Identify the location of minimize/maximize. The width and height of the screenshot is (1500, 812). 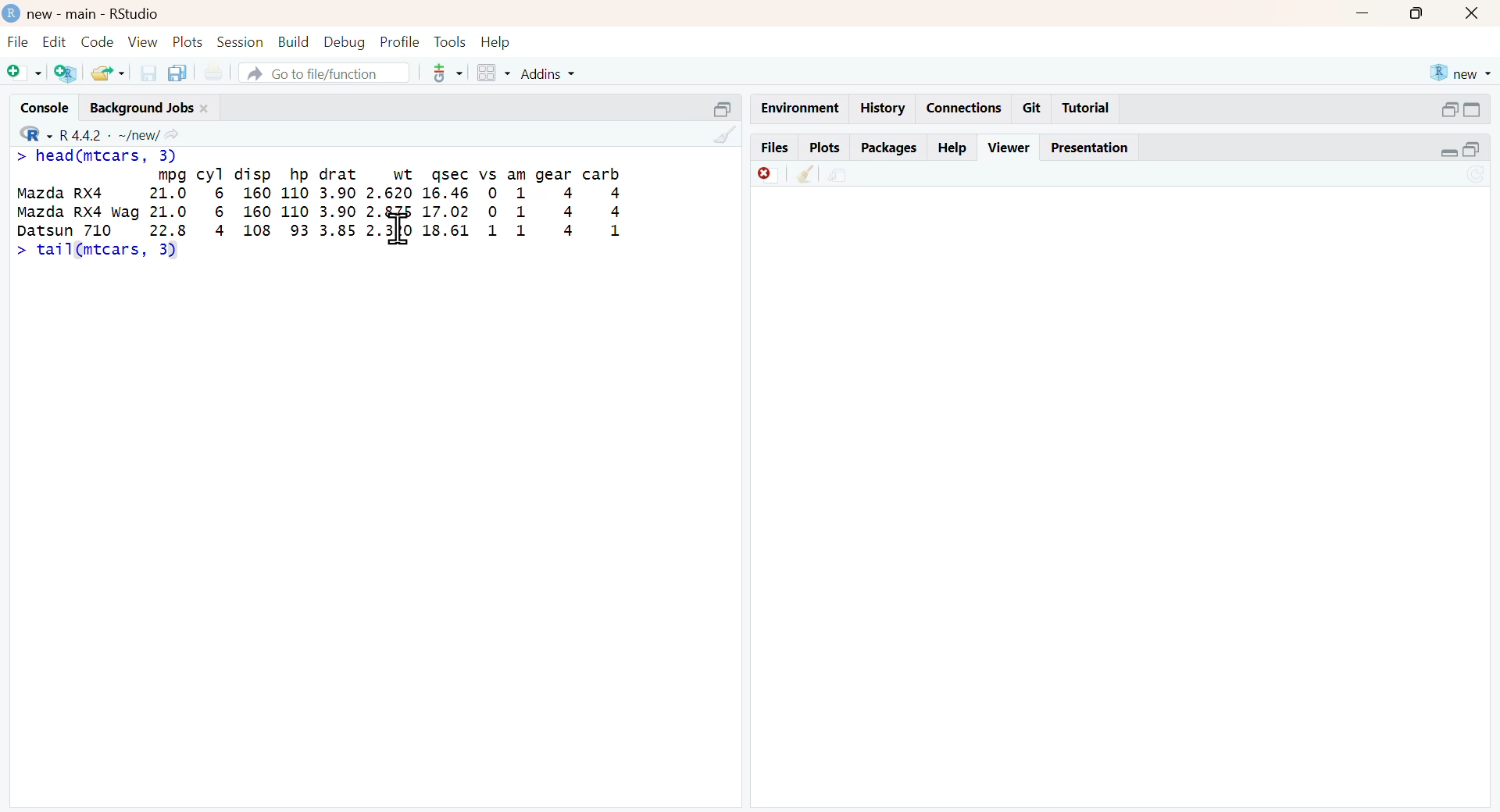
(1462, 109).